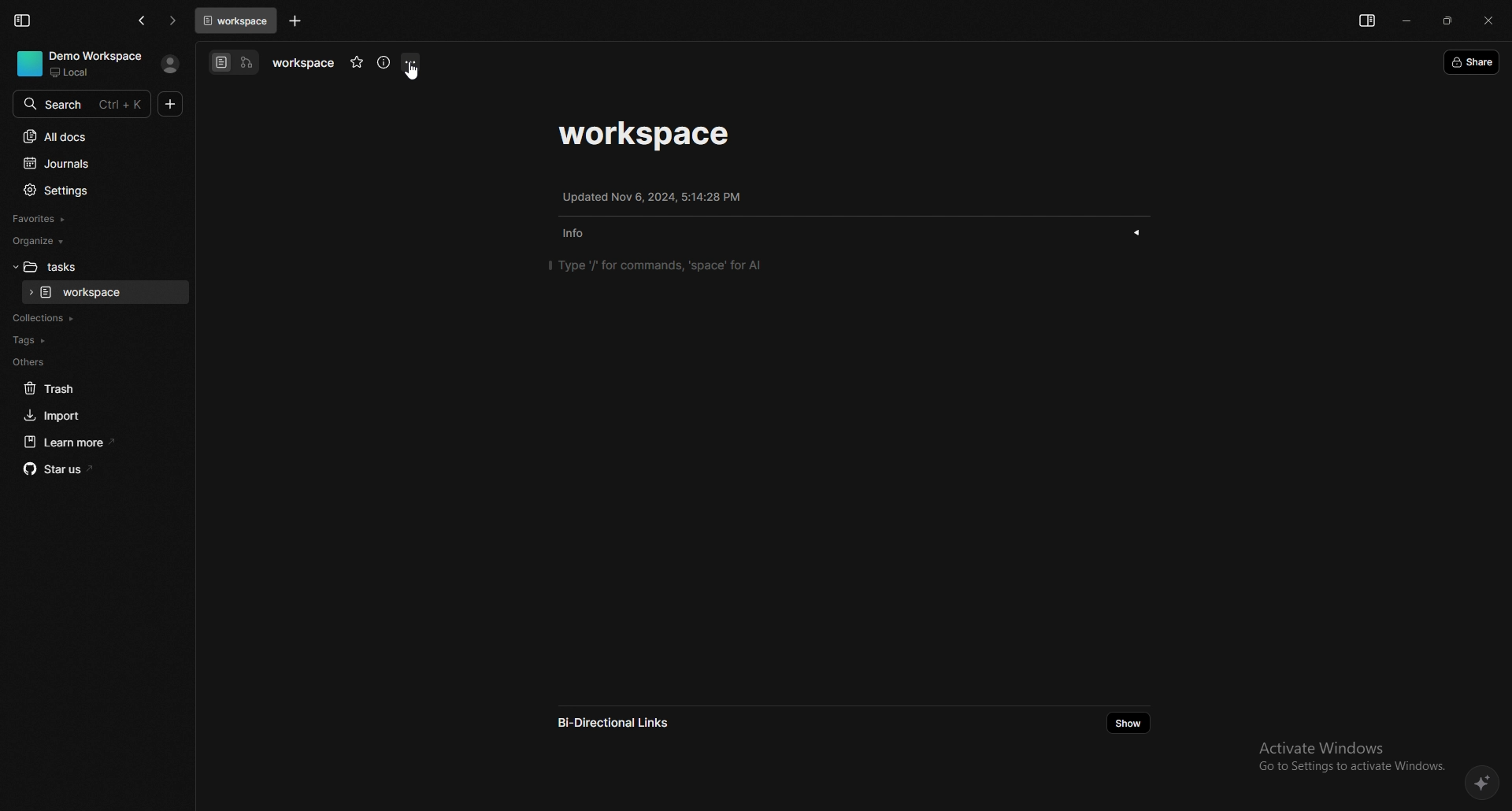  Describe the element at coordinates (302, 64) in the screenshot. I see `task name` at that location.